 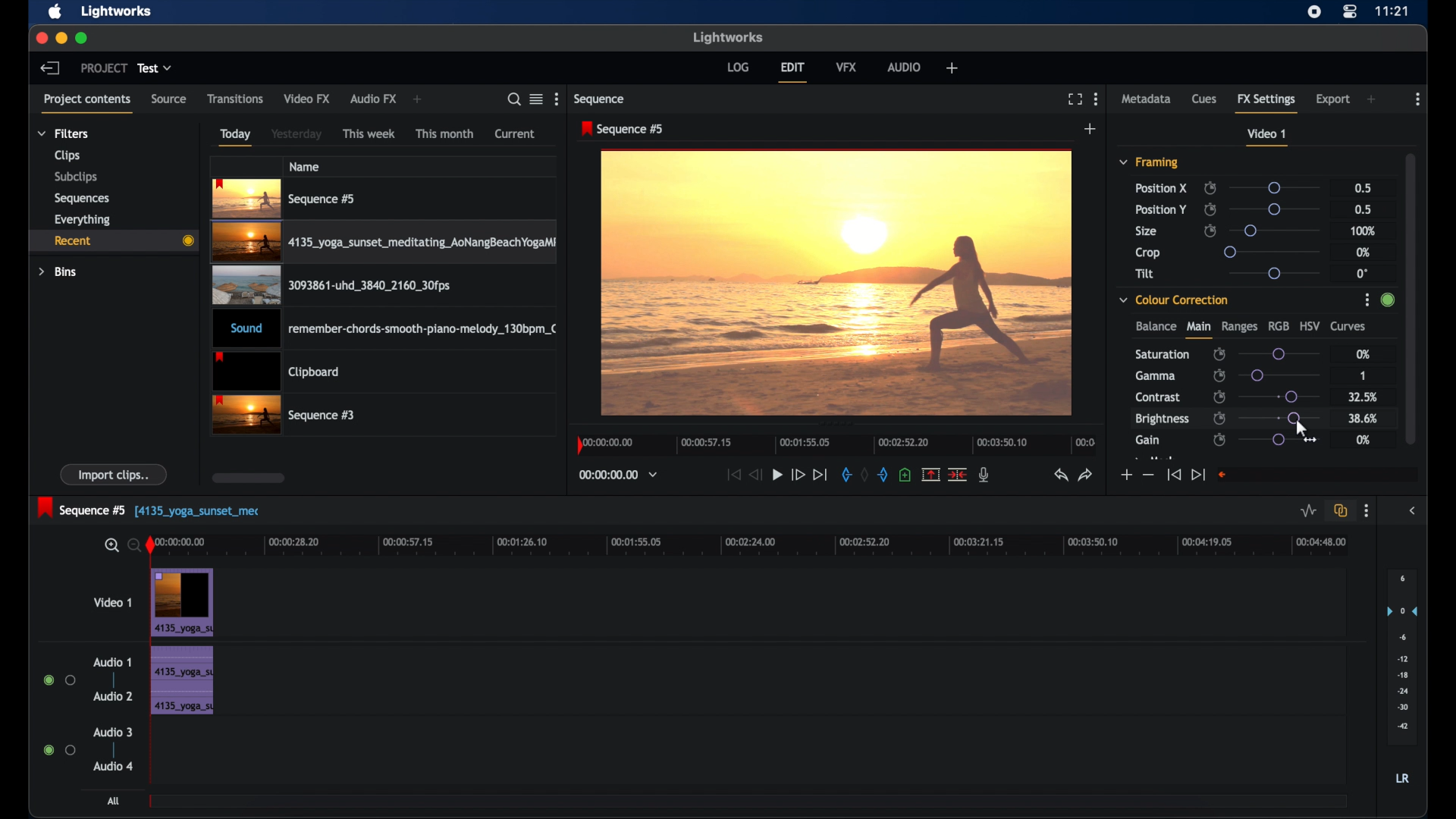 What do you see at coordinates (1385, 304) in the screenshot?
I see `slider change` at bounding box center [1385, 304].